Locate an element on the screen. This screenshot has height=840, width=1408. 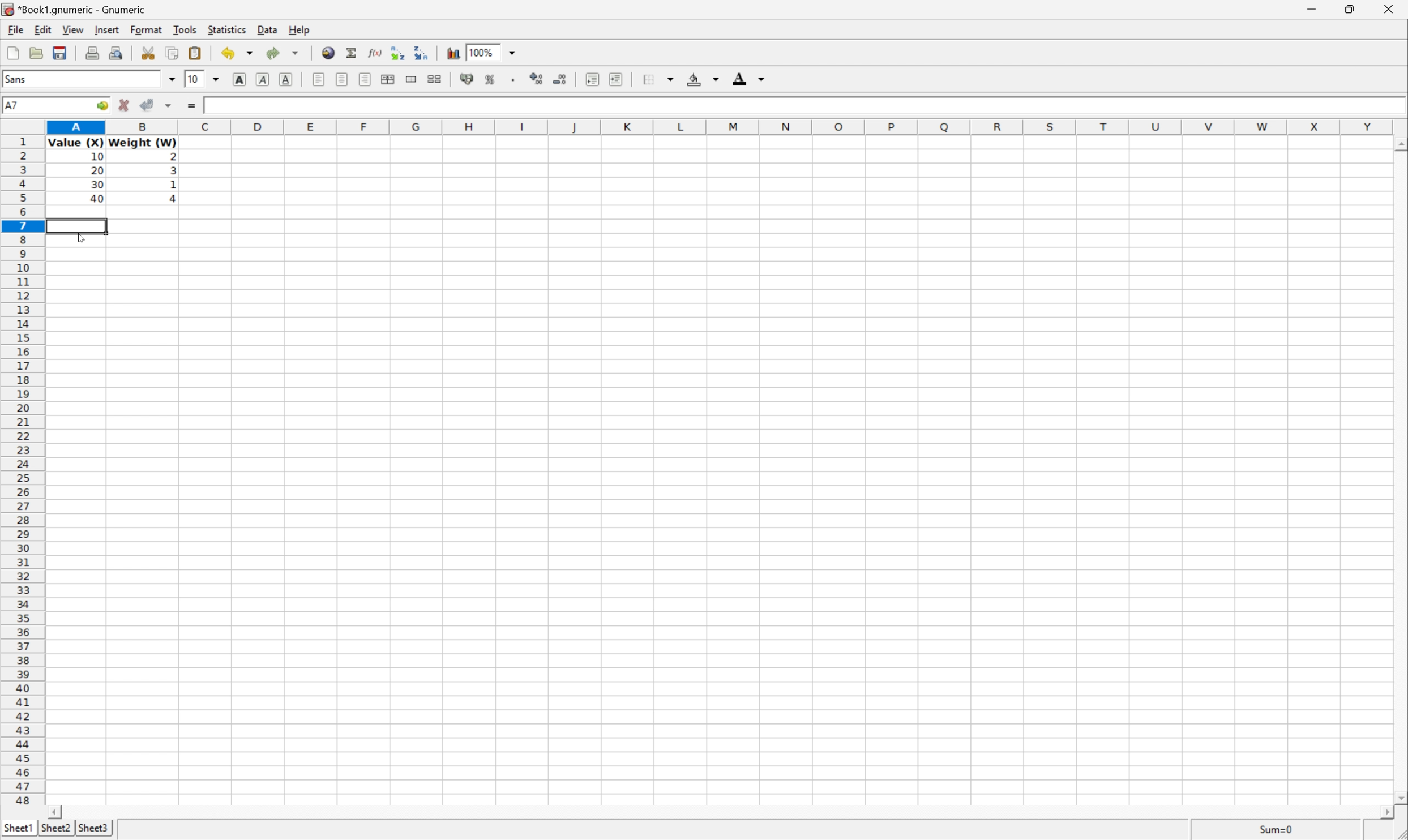
Enter formula is located at coordinates (189, 106).